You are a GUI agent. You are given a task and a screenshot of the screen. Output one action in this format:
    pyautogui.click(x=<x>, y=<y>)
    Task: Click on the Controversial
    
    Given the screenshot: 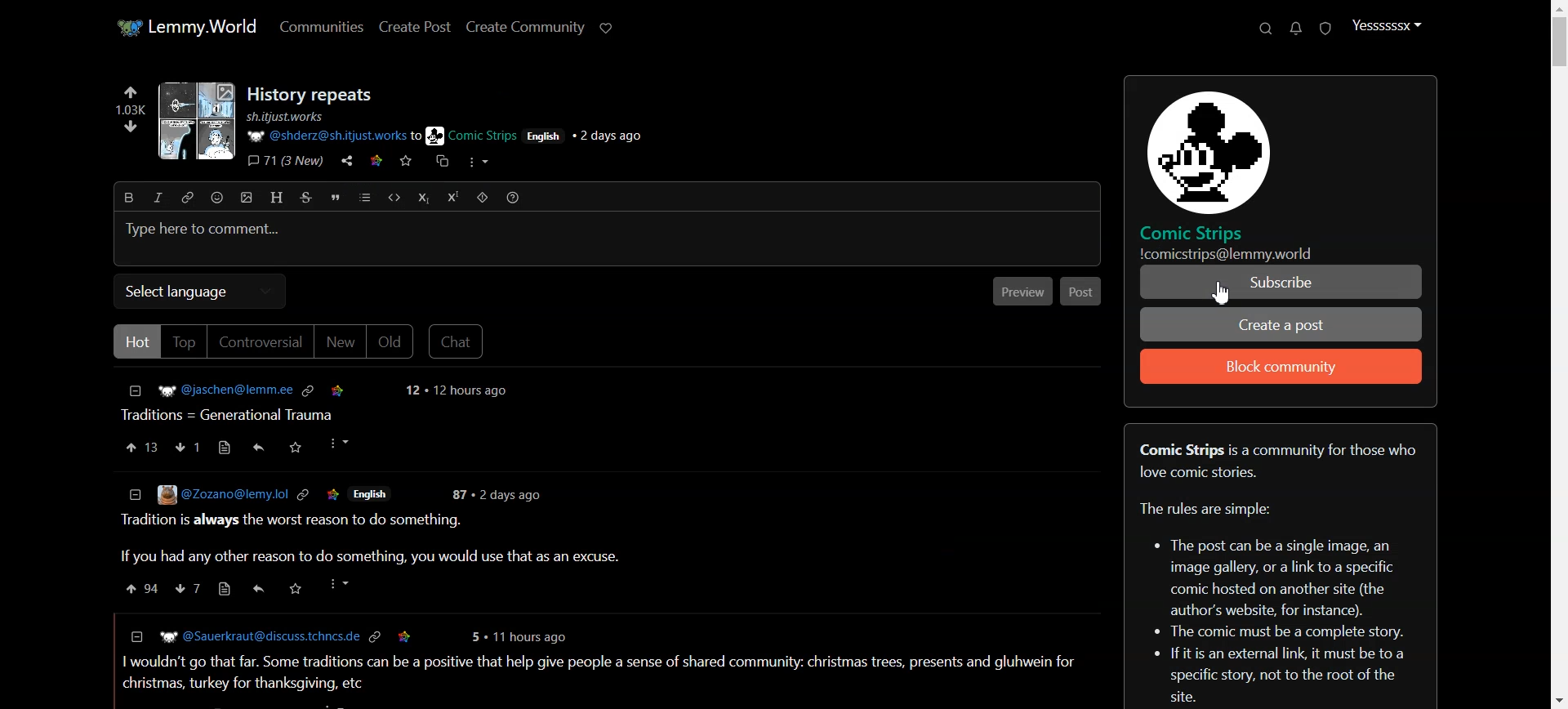 What is the action you would take?
    pyautogui.click(x=260, y=342)
    